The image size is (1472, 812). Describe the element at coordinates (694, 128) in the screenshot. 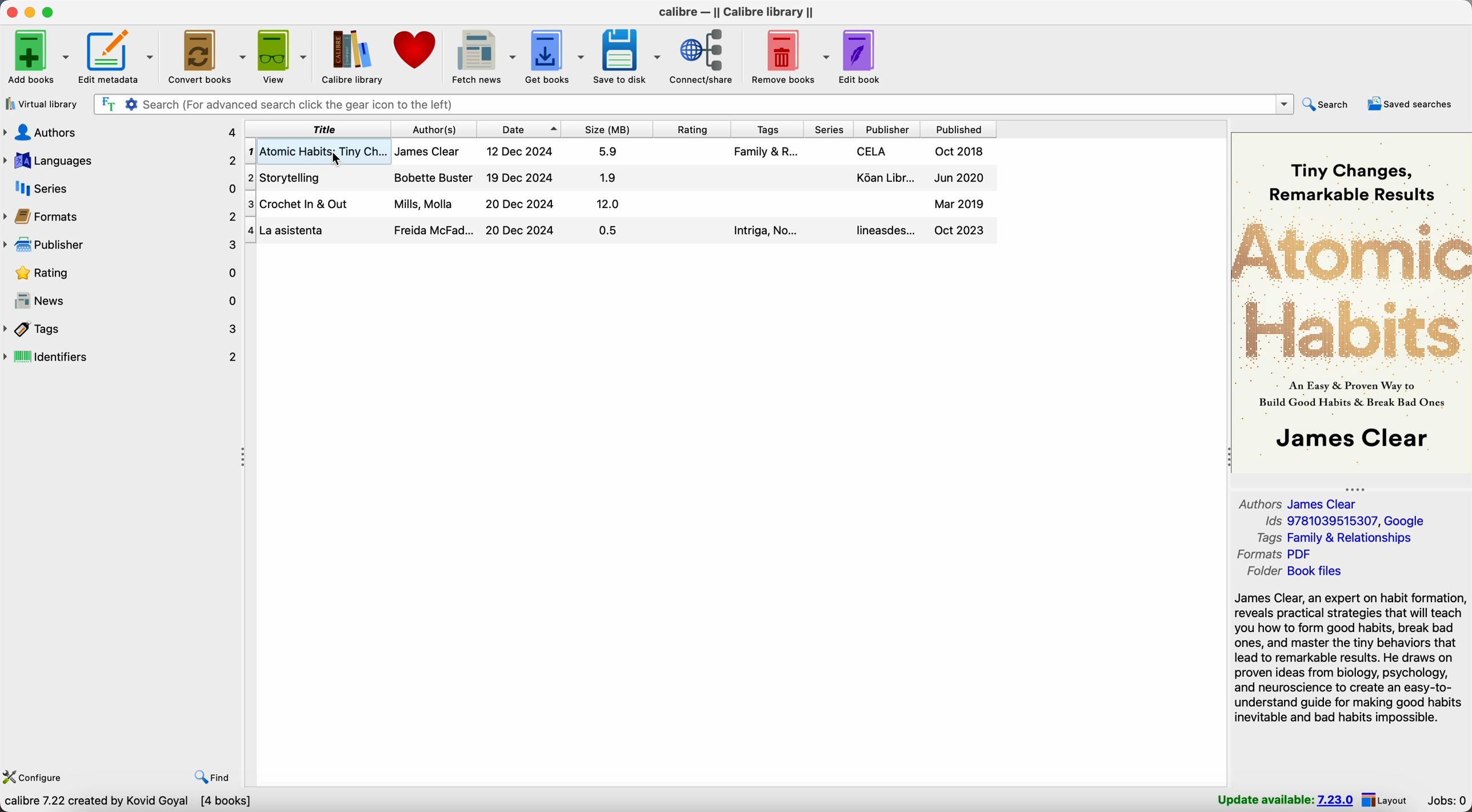

I see `rating` at that location.